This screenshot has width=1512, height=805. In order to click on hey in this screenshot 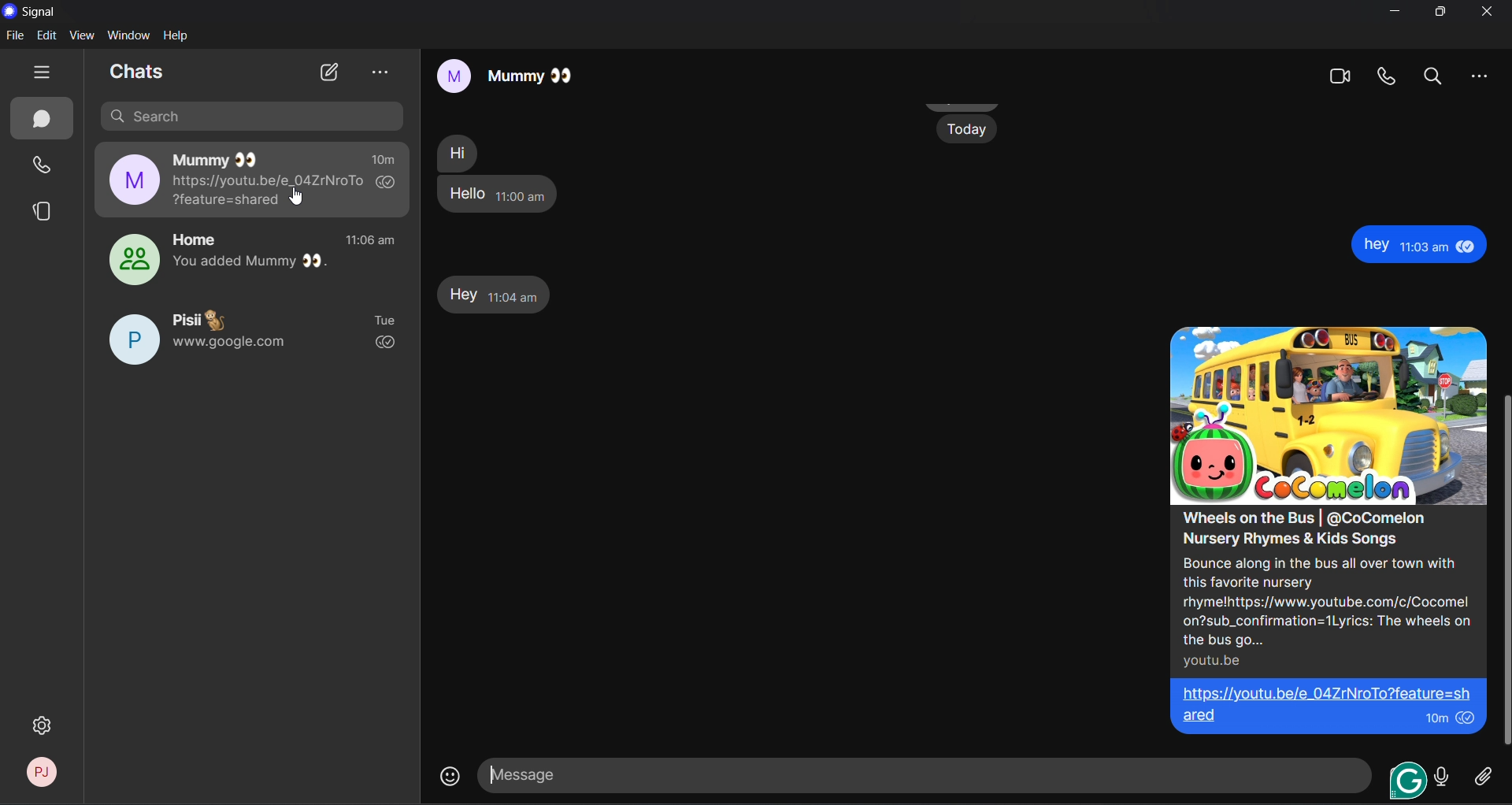, I will do `click(498, 296)`.